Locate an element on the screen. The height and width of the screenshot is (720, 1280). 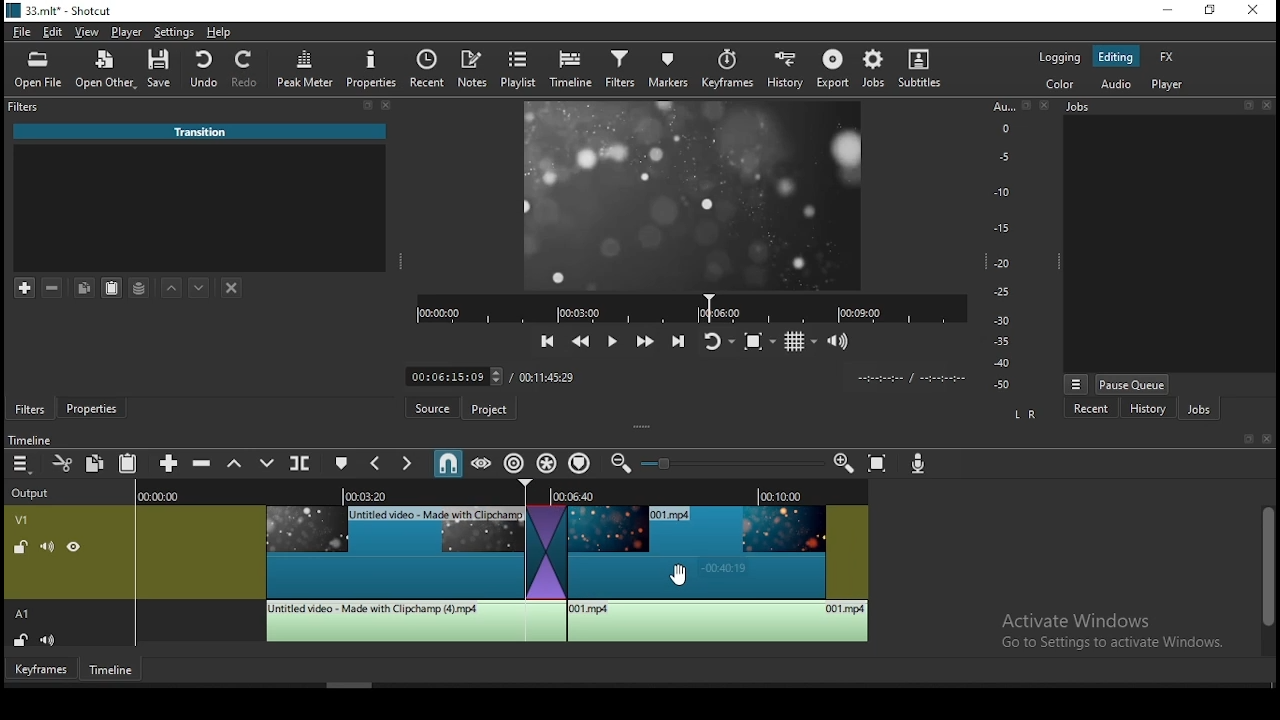
pause queue is located at coordinates (1133, 385).